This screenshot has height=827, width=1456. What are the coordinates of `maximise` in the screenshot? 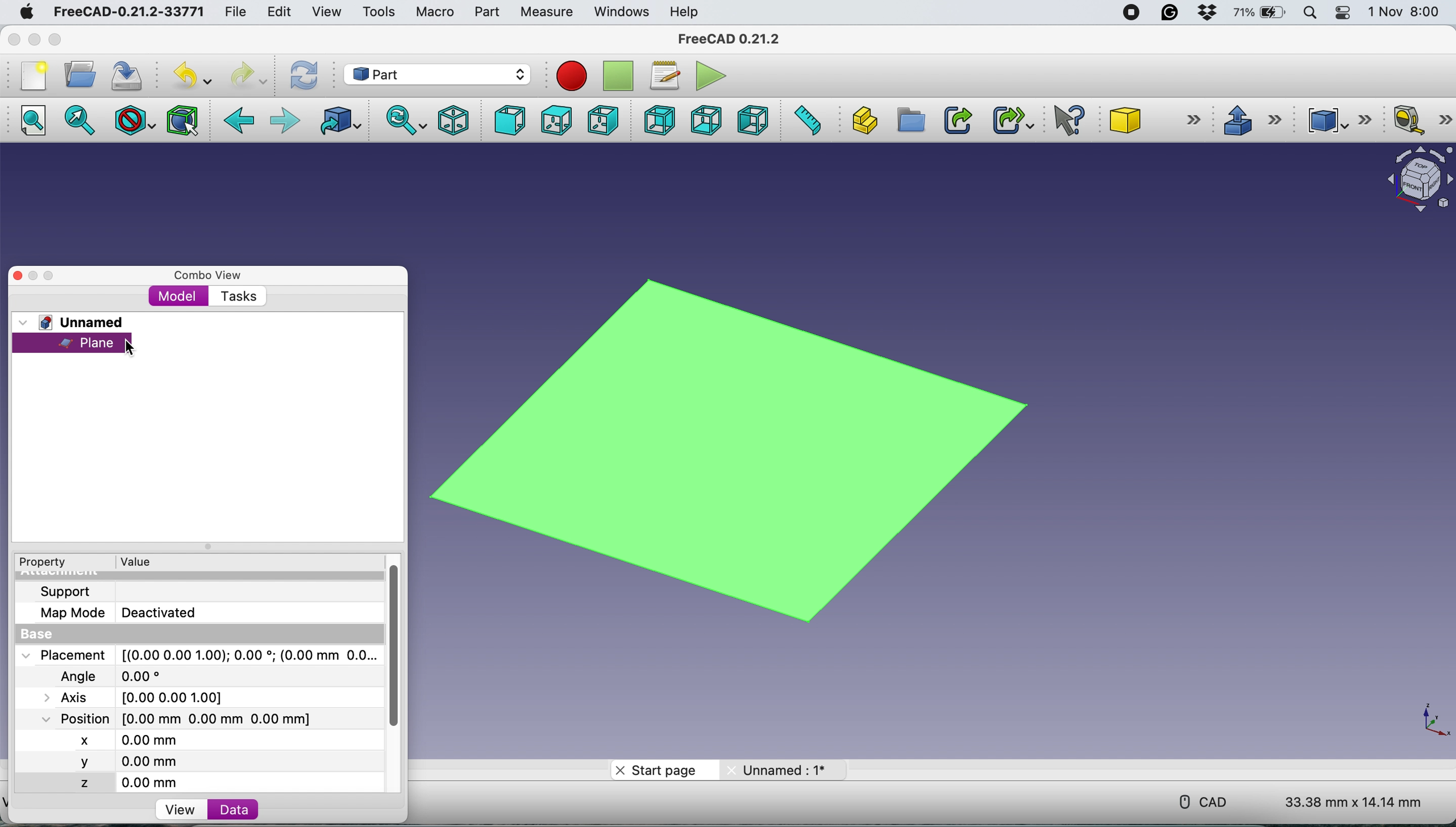 It's located at (57, 40).